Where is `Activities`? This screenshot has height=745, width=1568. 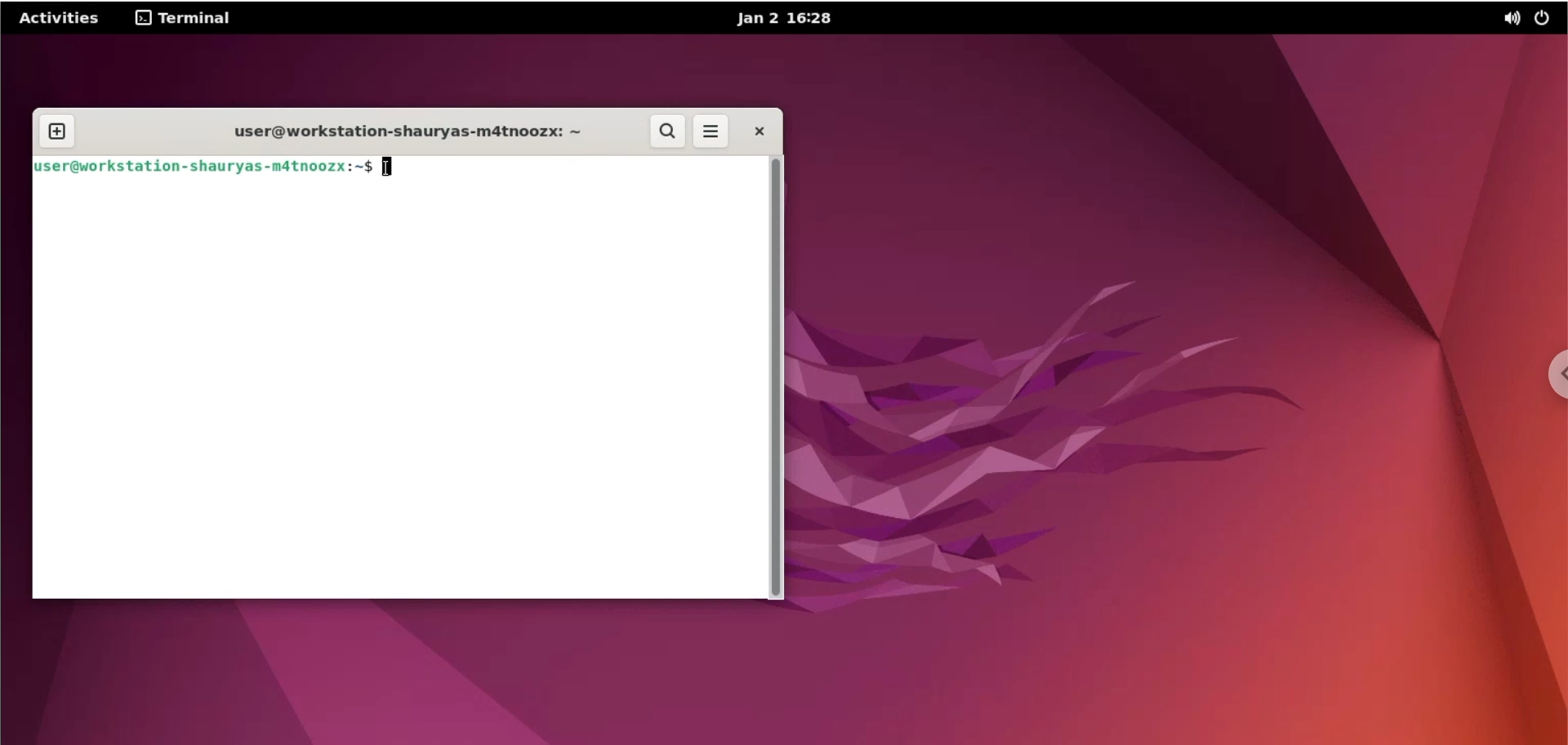 Activities is located at coordinates (61, 20).